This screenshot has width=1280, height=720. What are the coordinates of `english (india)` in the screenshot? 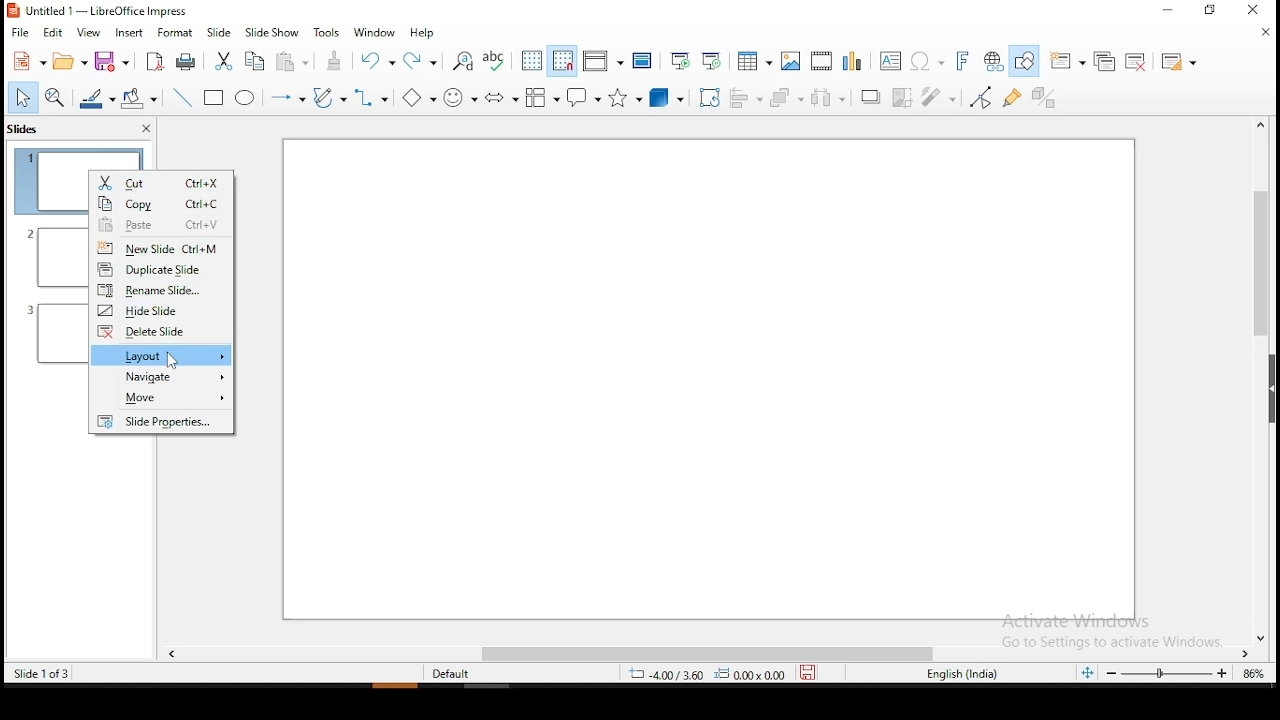 It's located at (959, 674).